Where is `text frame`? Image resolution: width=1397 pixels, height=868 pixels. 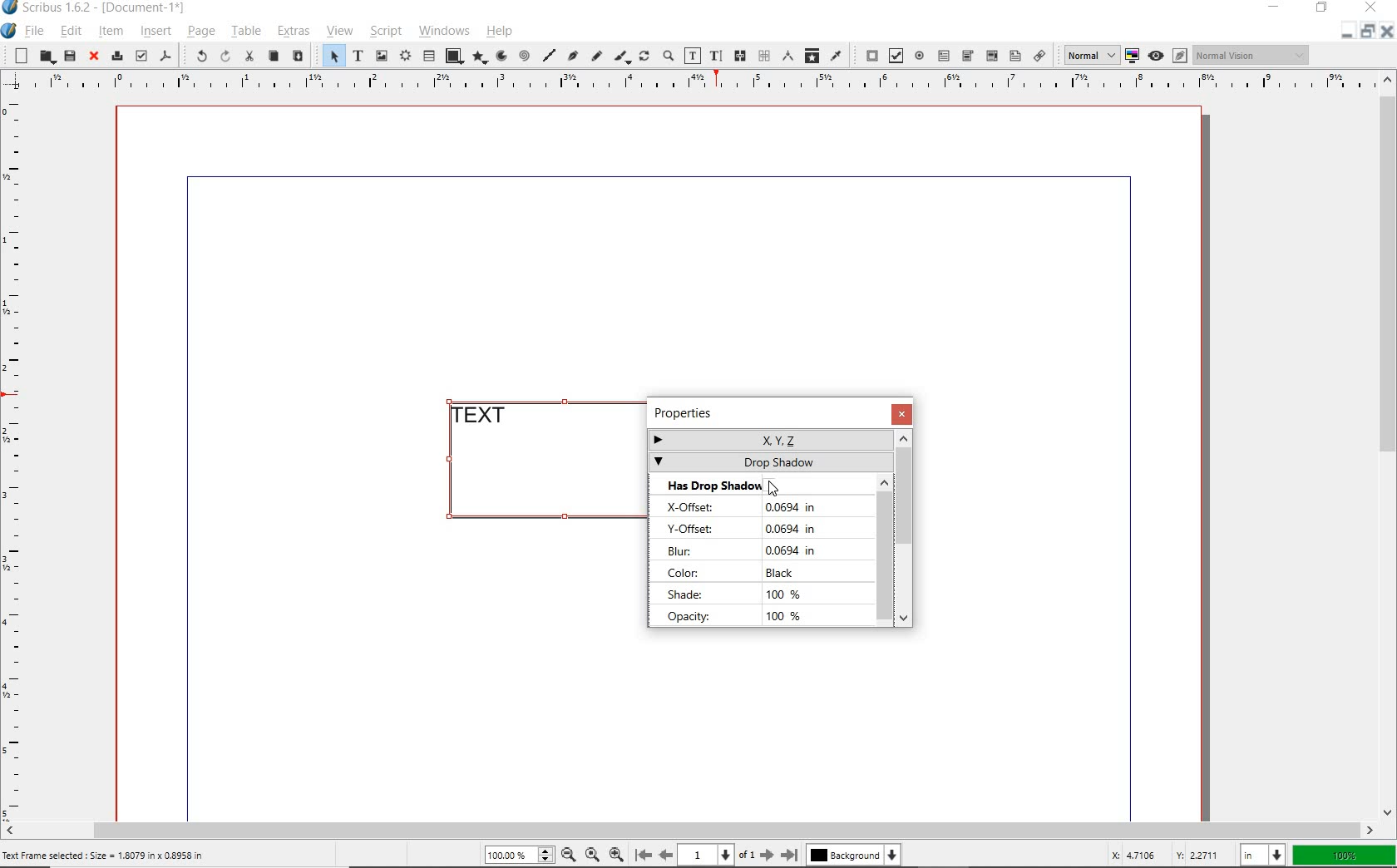 text frame is located at coordinates (355, 56).